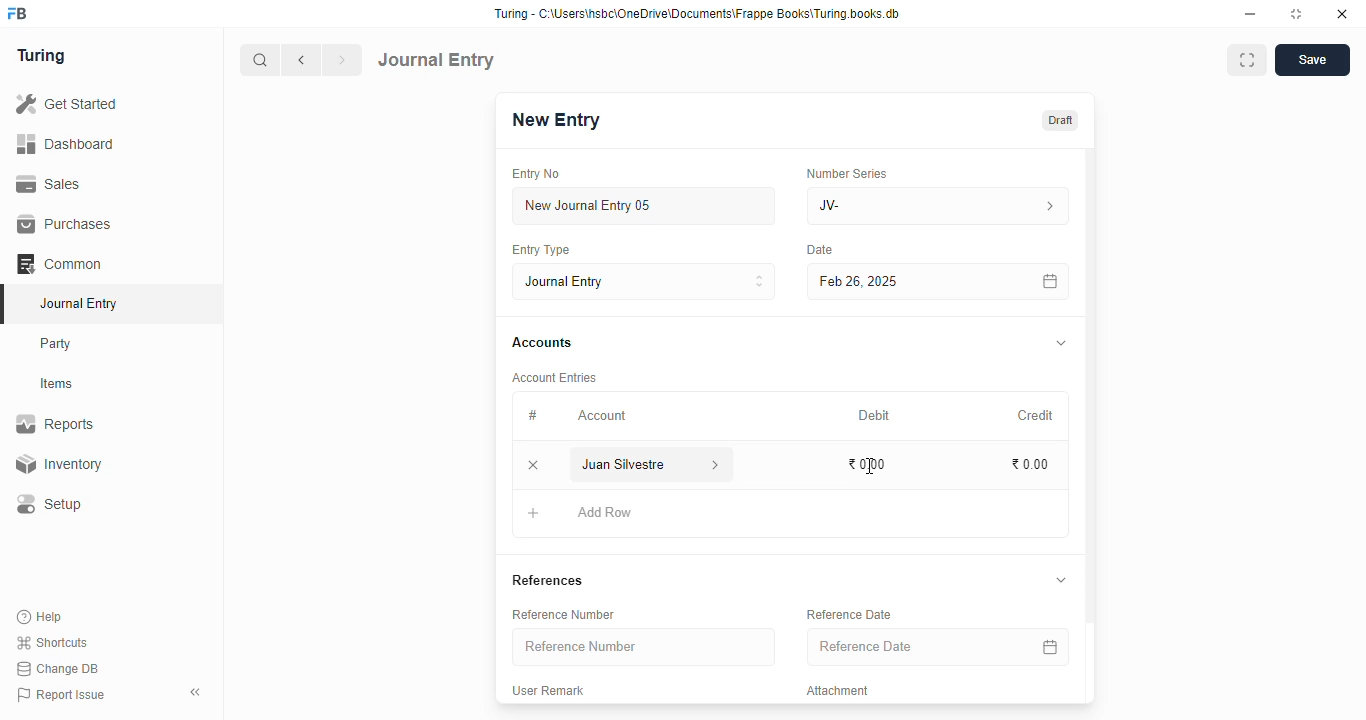  What do you see at coordinates (1342, 14) in the screenshot?
I see `close` at bounding box center [1342, 14].